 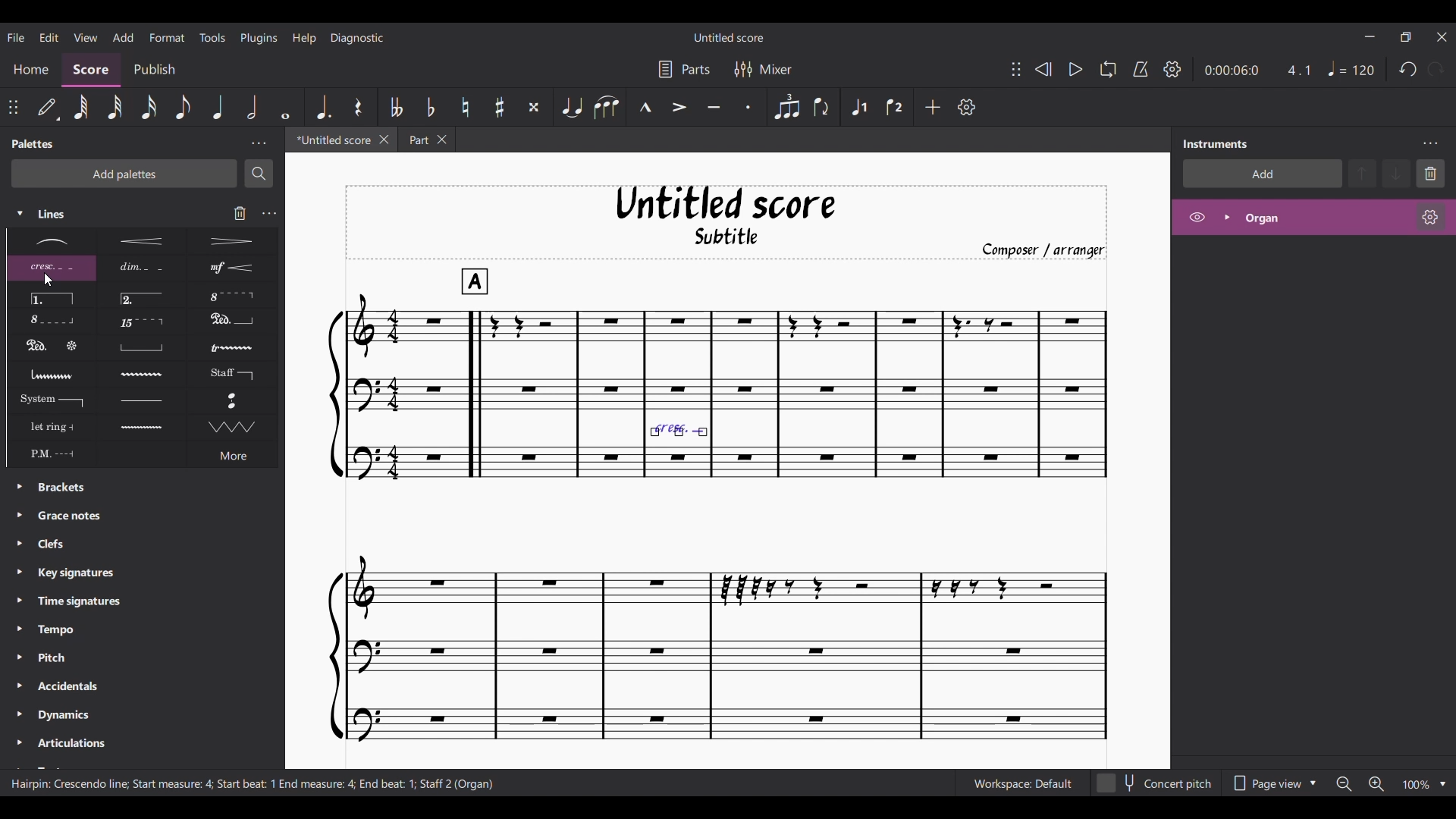 I want to click on Add palette, so click(x=124, y=174).